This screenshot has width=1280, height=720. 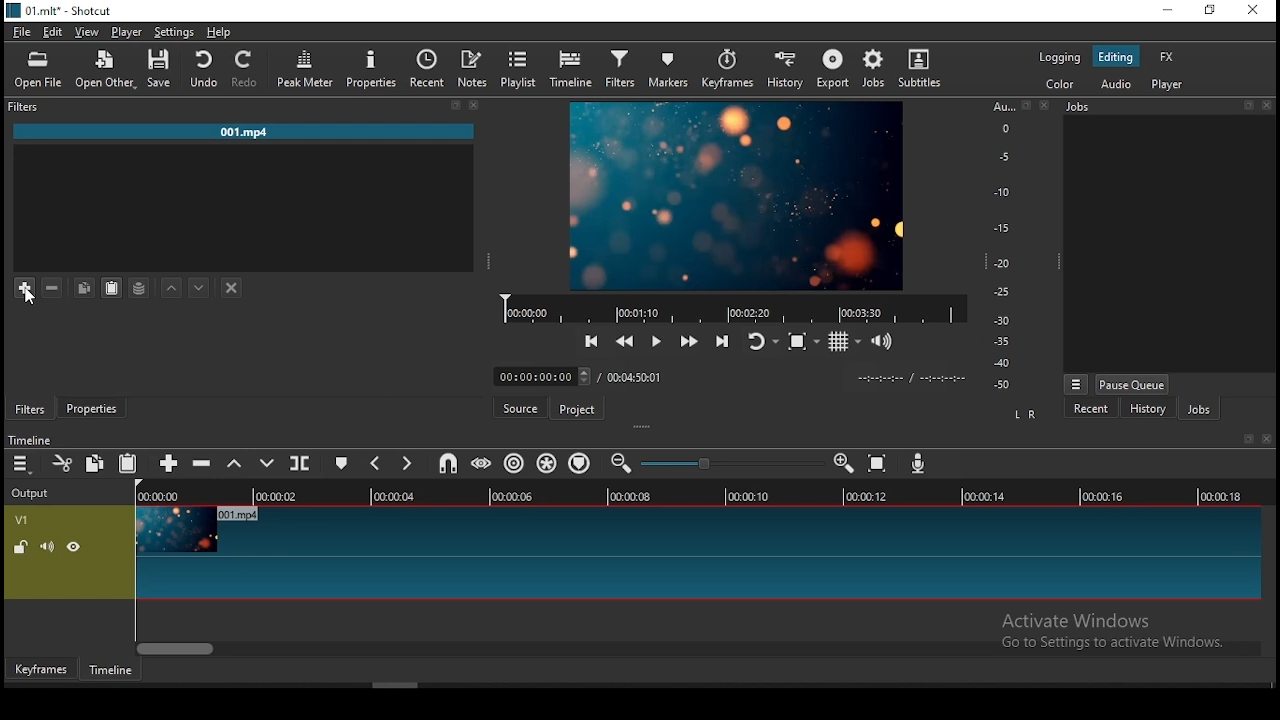 I want to click on paste, so click(x=128, y=464).